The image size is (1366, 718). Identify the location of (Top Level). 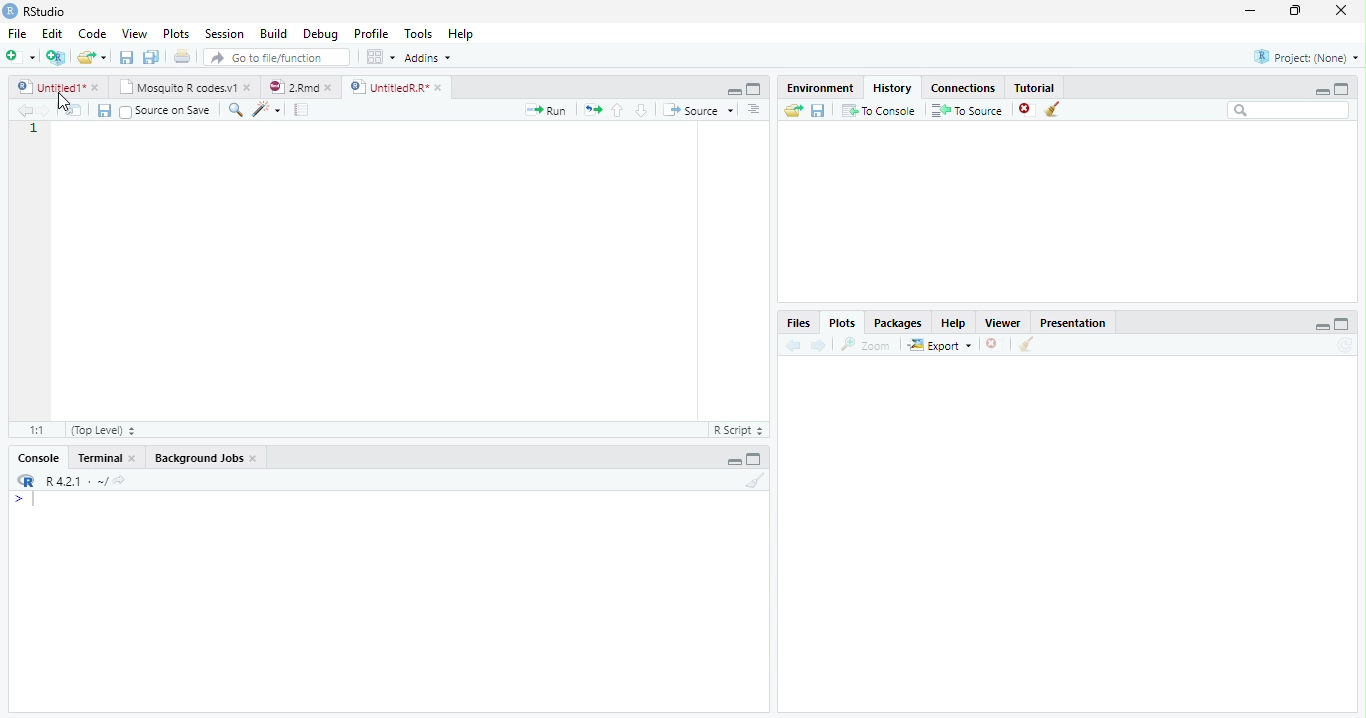
(102, 430).